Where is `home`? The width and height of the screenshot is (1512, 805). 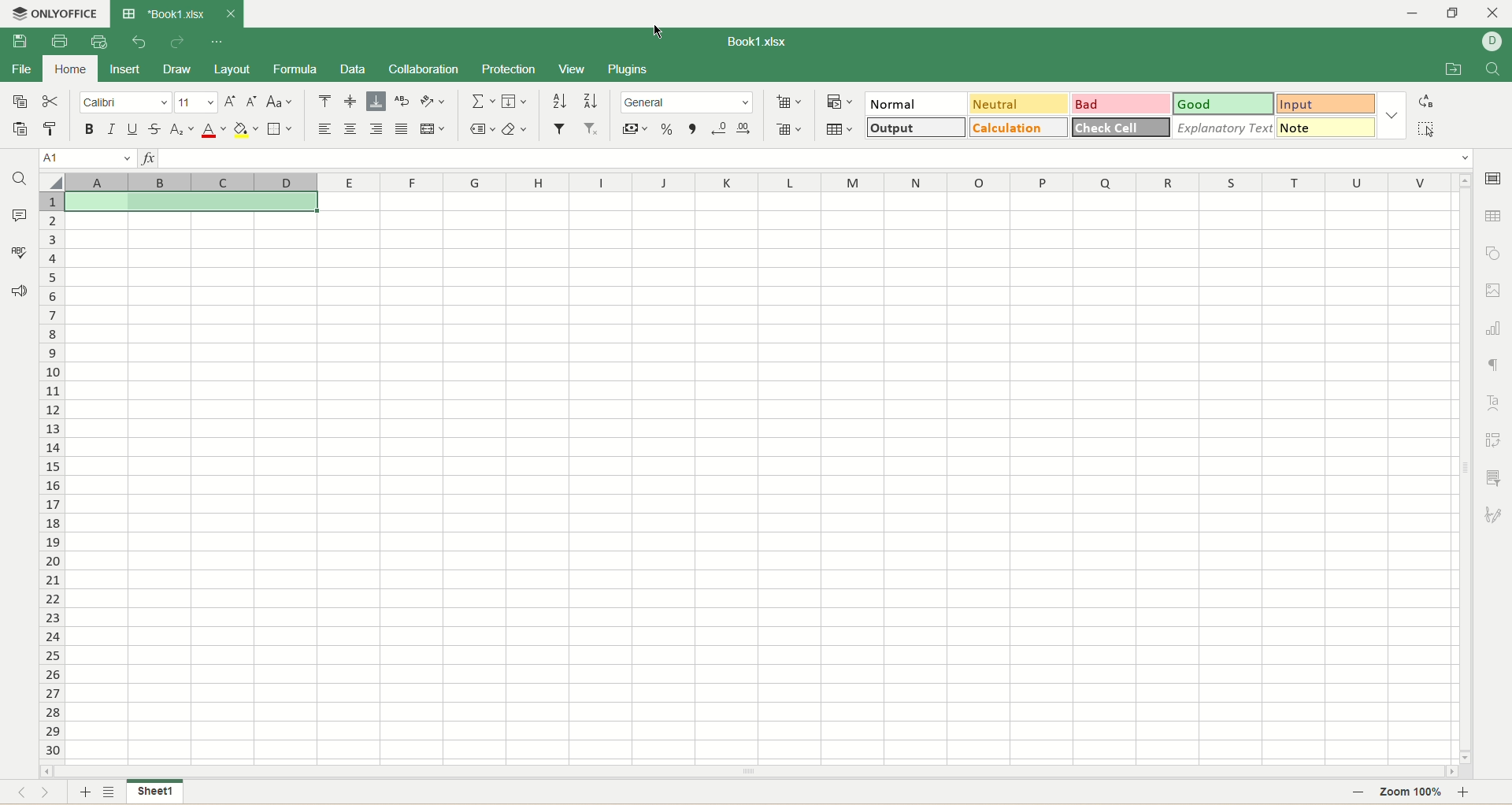 home is located at coordinates (65, 70).